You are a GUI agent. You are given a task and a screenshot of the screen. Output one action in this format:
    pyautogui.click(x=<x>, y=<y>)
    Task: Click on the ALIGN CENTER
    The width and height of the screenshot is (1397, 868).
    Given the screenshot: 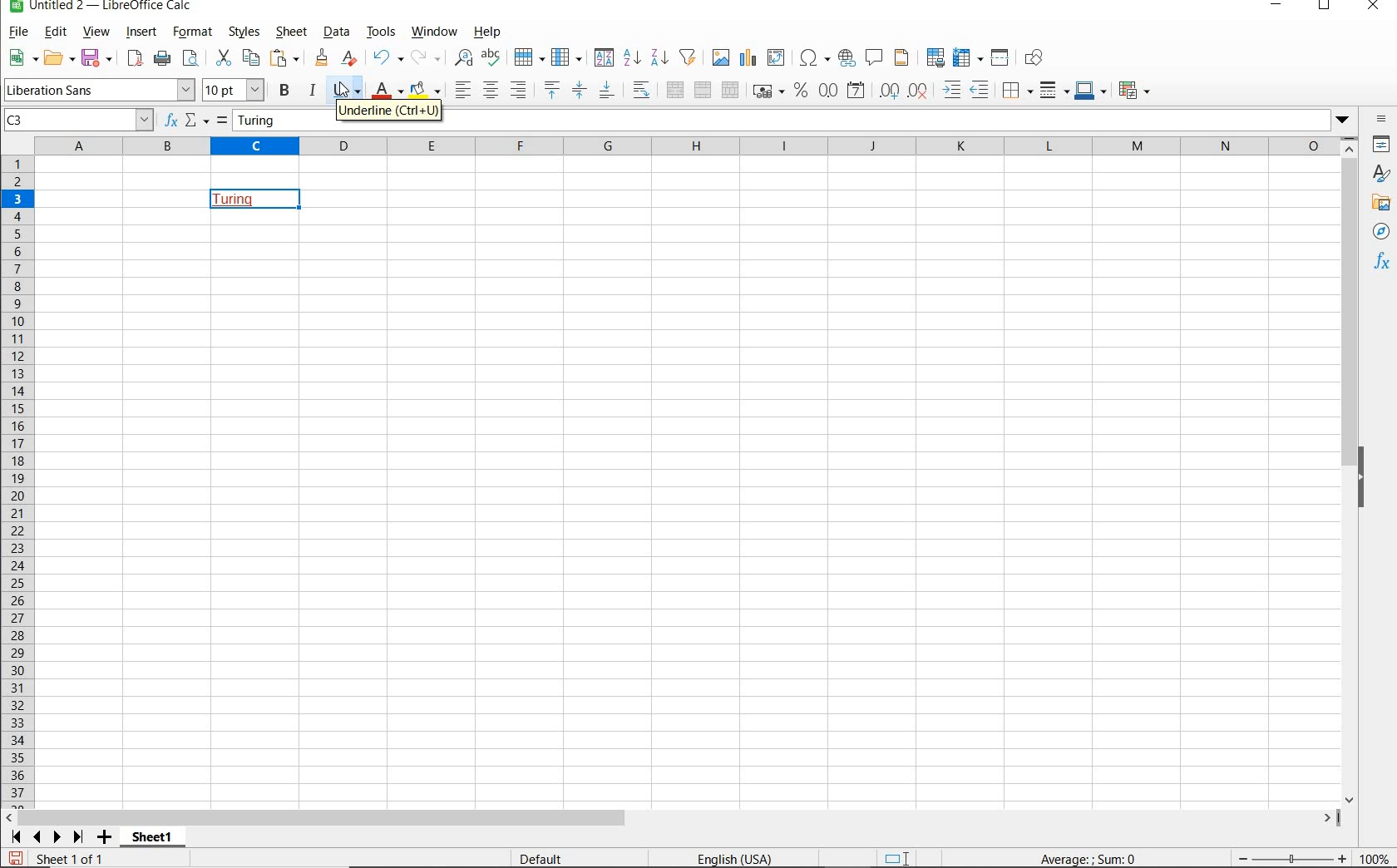 What is the action you would take?
    pyautogui.click(x=491, y=91)
    